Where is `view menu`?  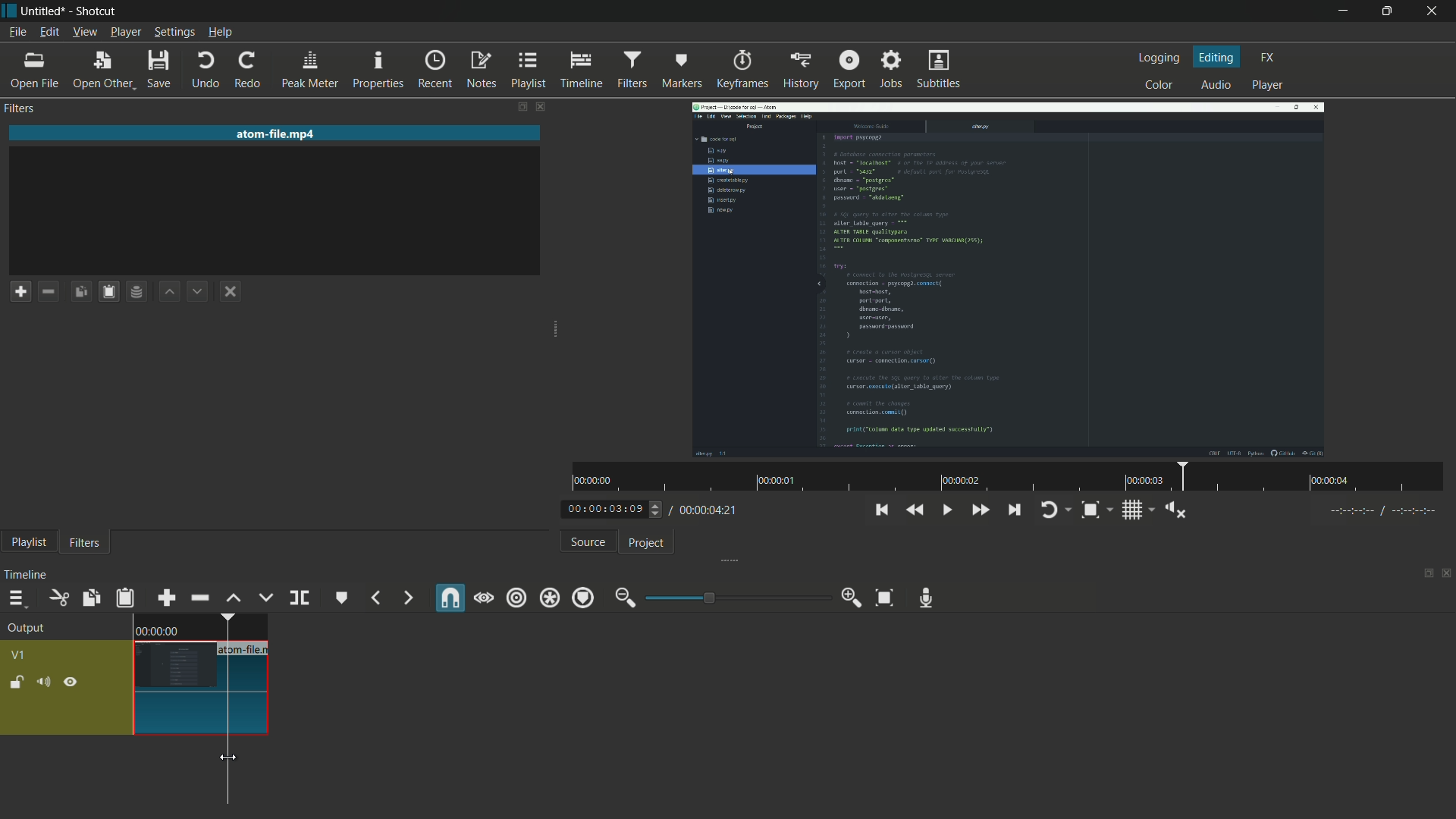 view menu is located at coordinates (86, 32).